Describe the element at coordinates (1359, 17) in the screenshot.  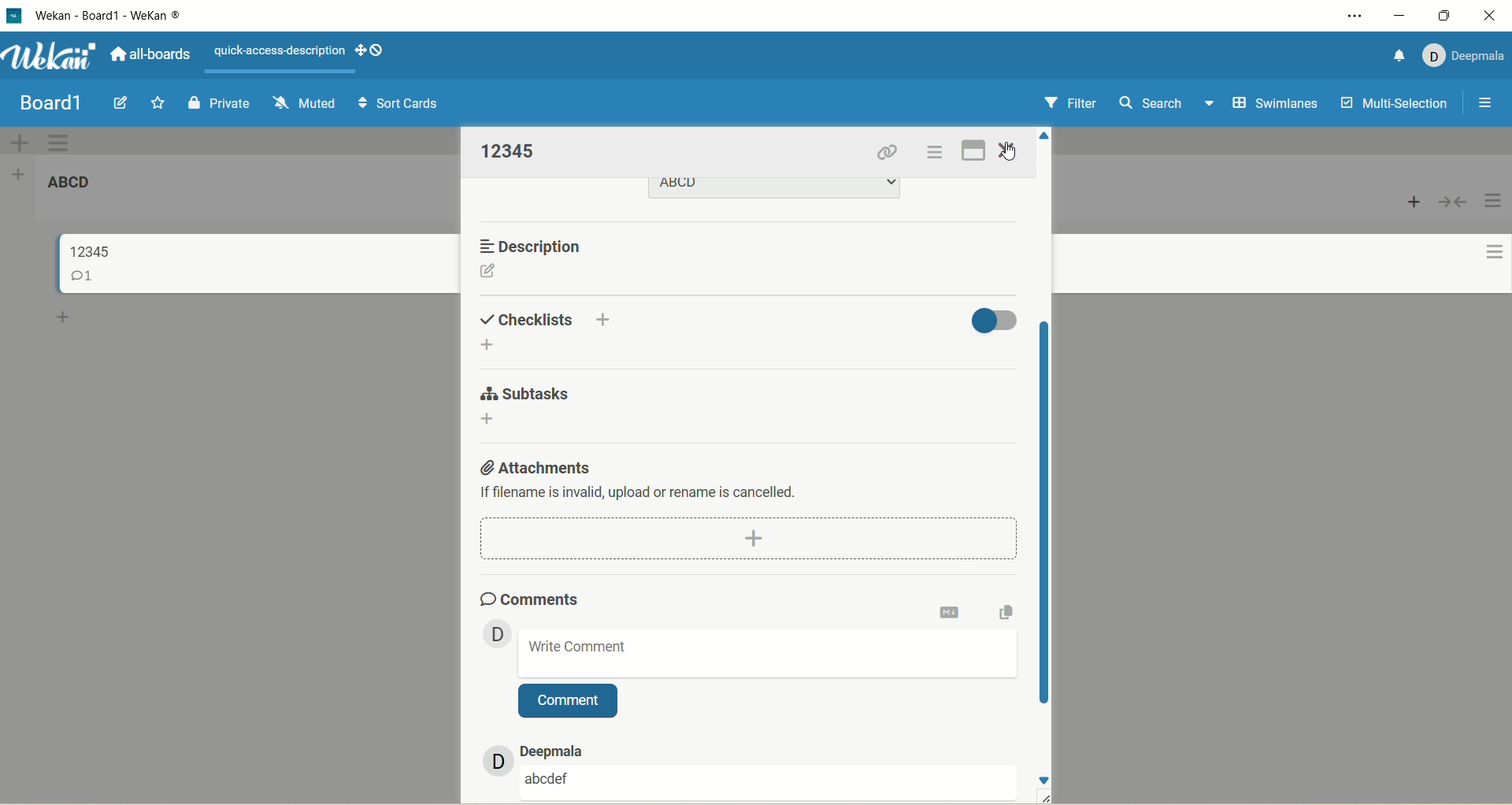
I see `settings and more` at that location.